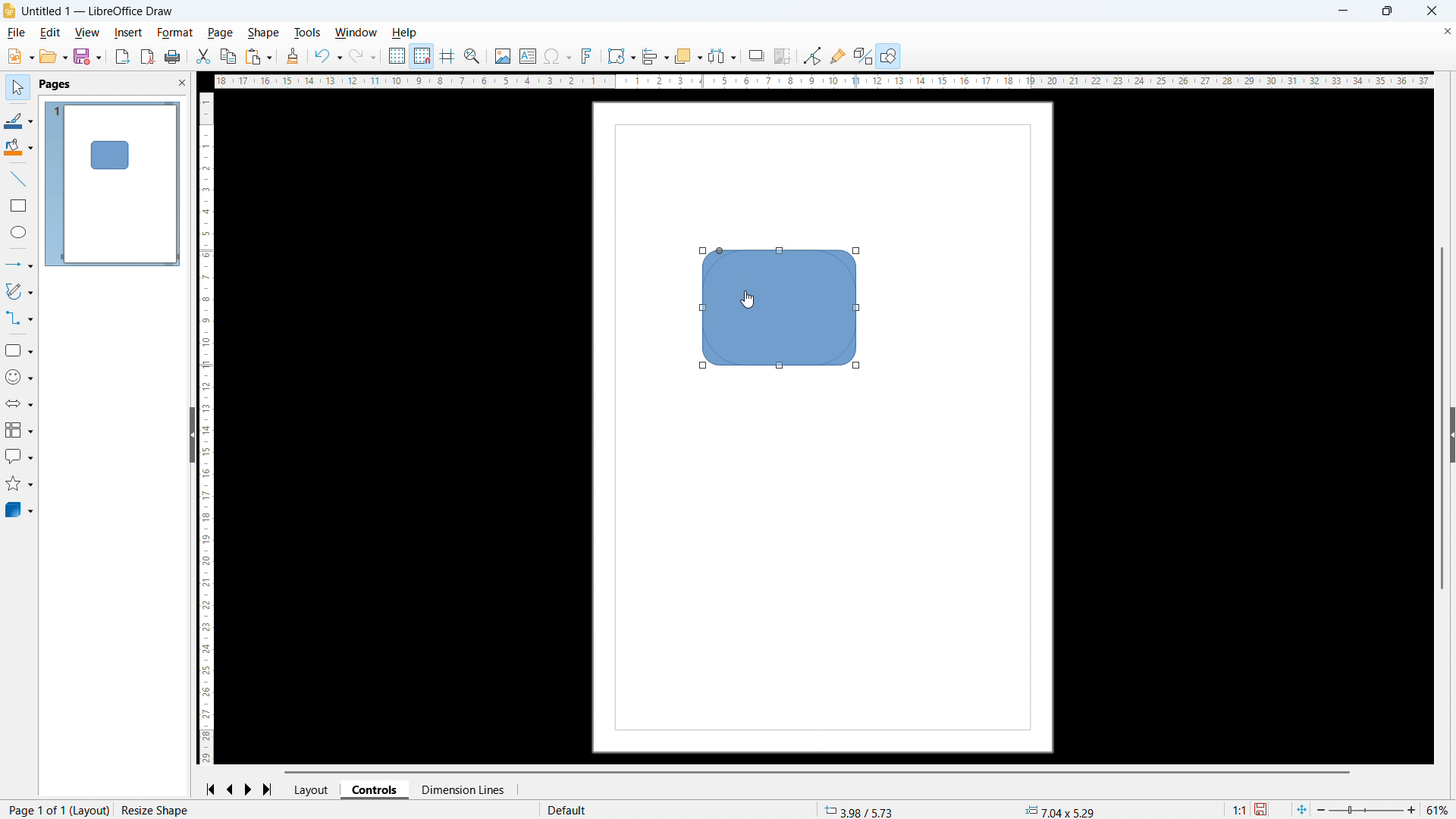 Image resolution: width=1456 pixels, height=819 pixels. I want to click on Undo , so click(328, 57).